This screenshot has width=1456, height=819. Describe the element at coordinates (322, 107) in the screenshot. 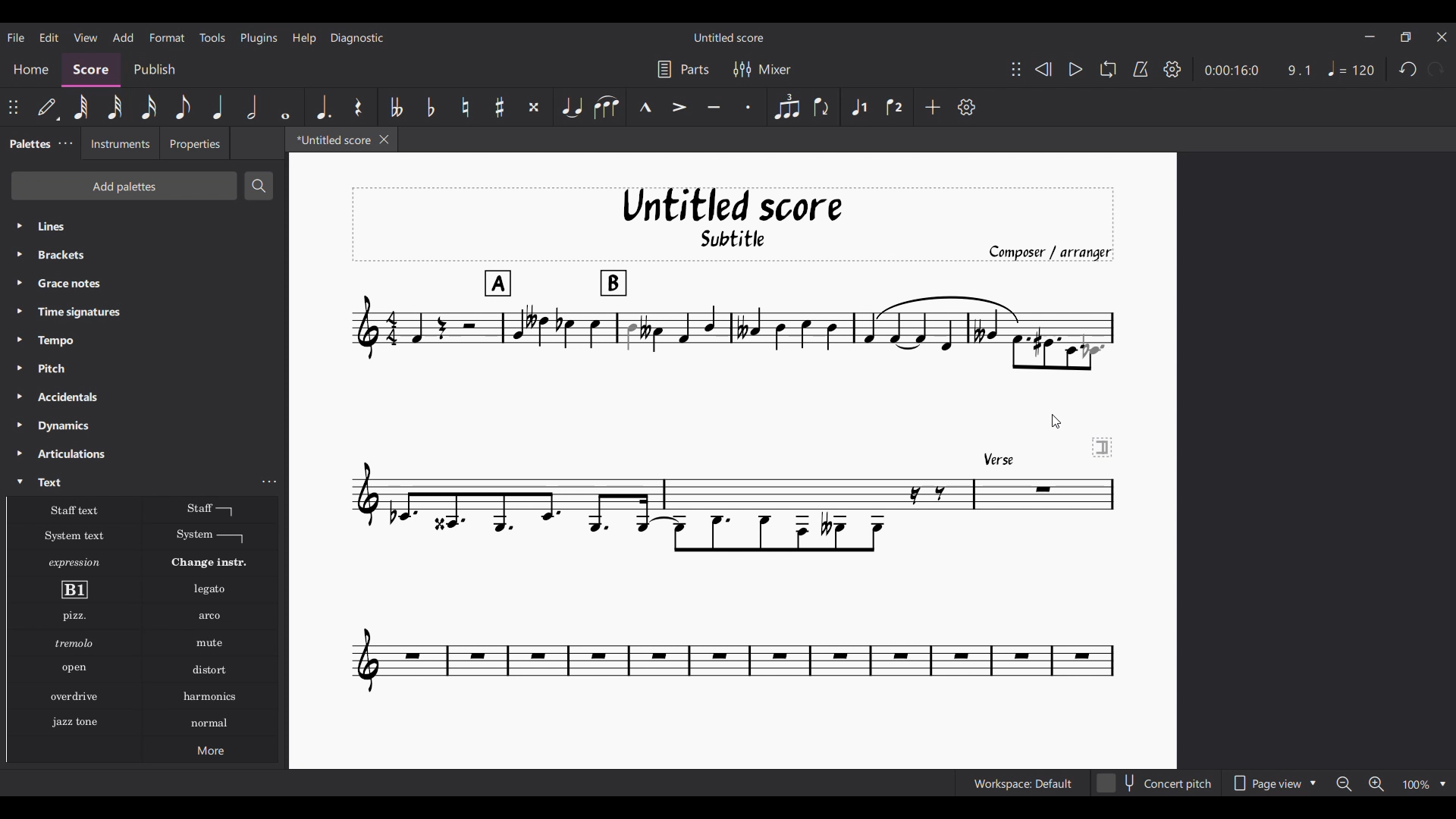

I see `Augmentation dot` at that location.